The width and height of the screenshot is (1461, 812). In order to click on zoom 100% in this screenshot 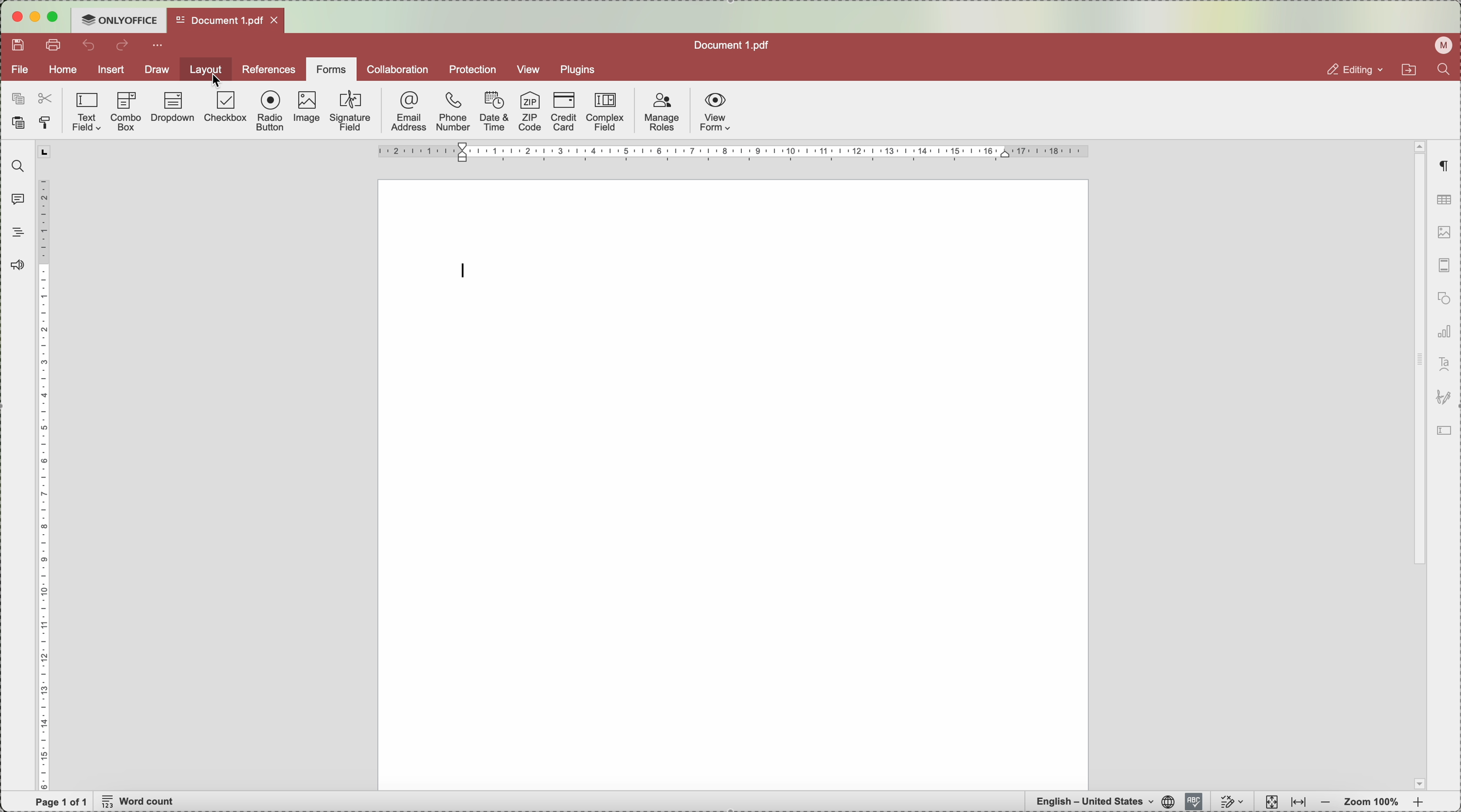, I will do `click(1373, 802)`.